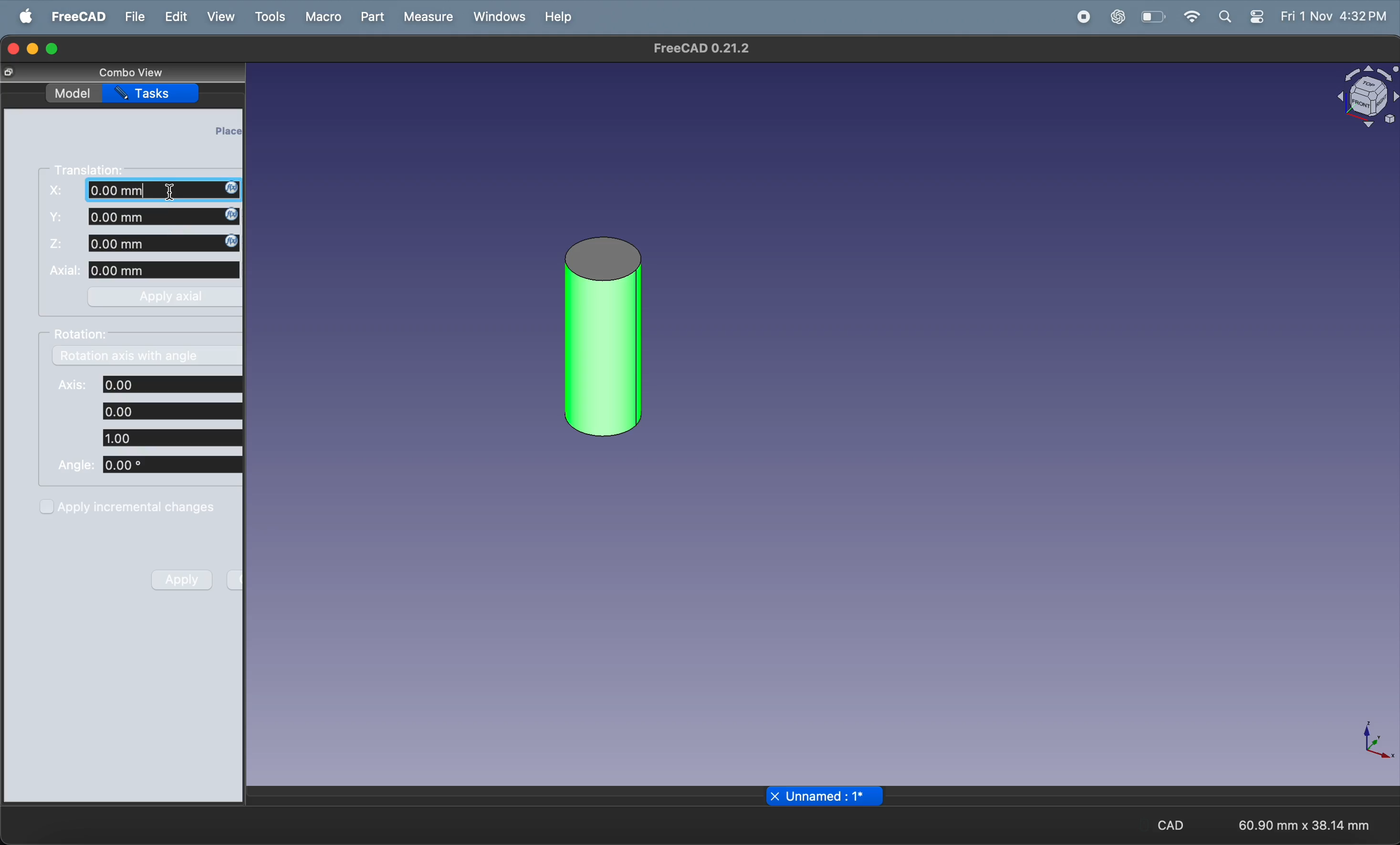 The image size is (1400, 845). What do you see at coordinates (34, 49) in the screenshot?
I see `minimize` at bounding box center [34, 49].